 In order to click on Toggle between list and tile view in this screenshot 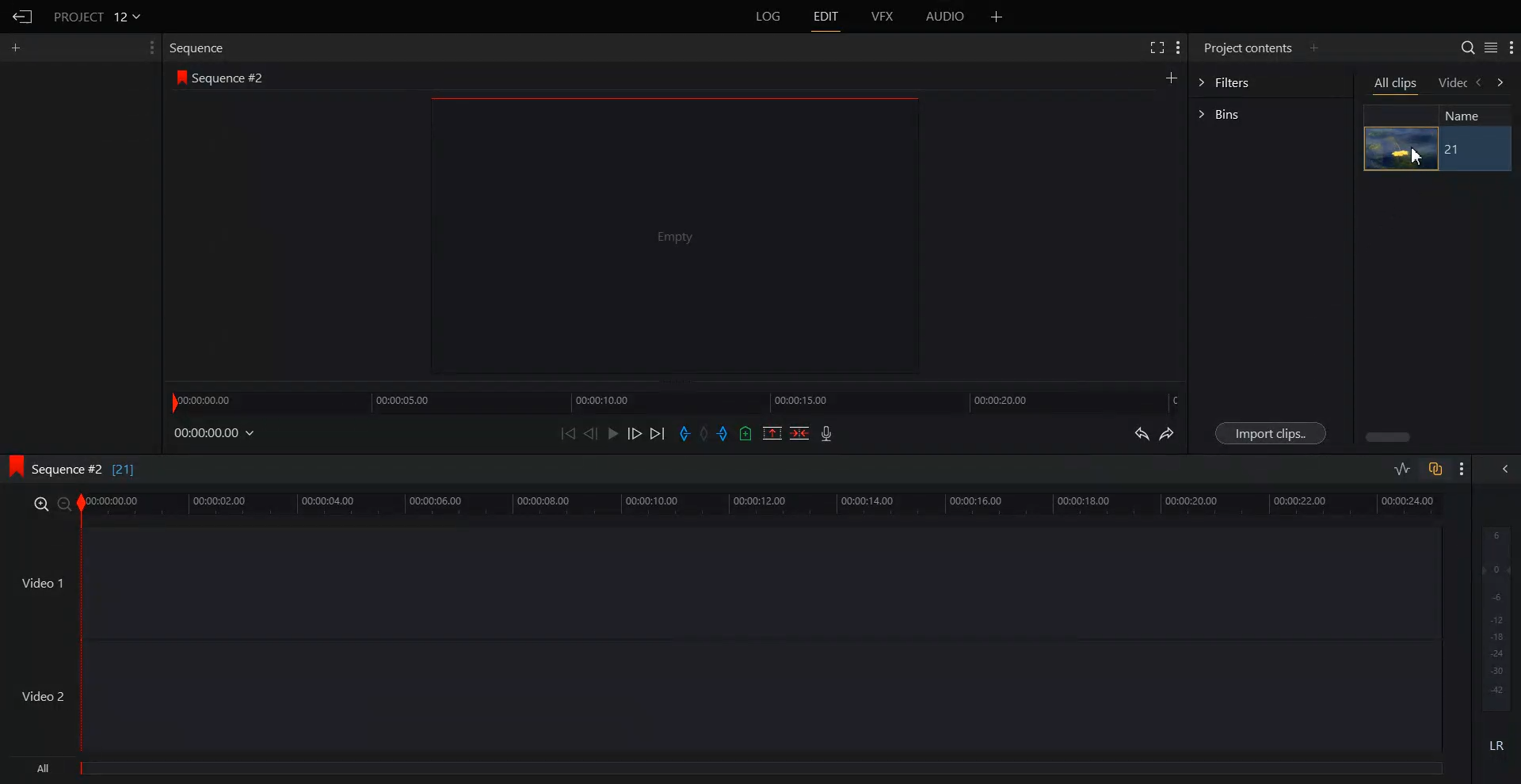, I will do `click(1490, 47)`.